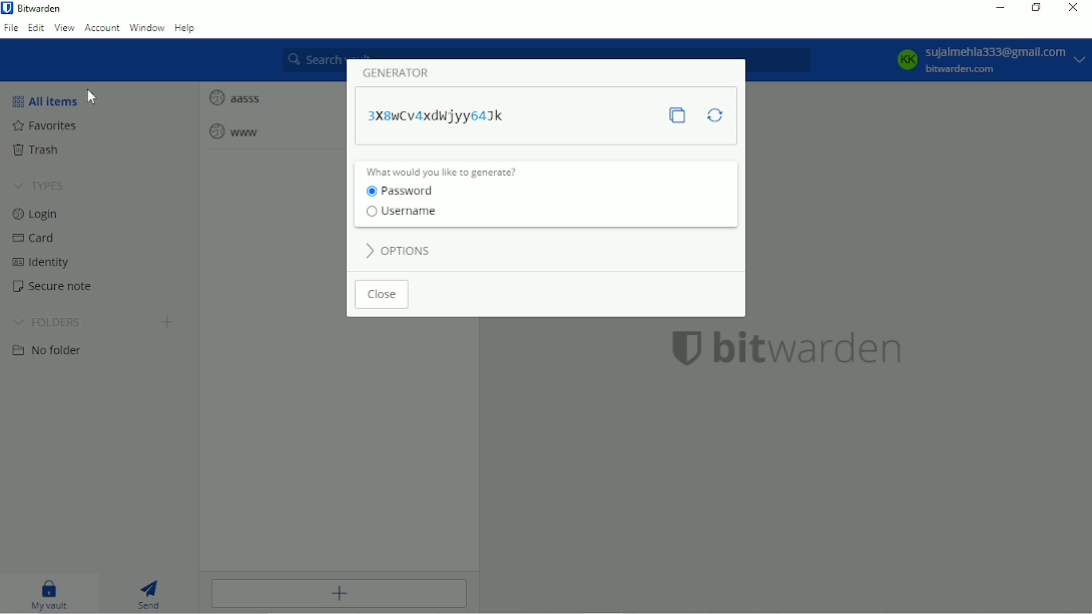 Image resolution: width=1092 pixels, height=614 pixels. What do you see at coordinates (35, 30) in the screenshot?
I see `Edit` at bounding box center [35, 30].